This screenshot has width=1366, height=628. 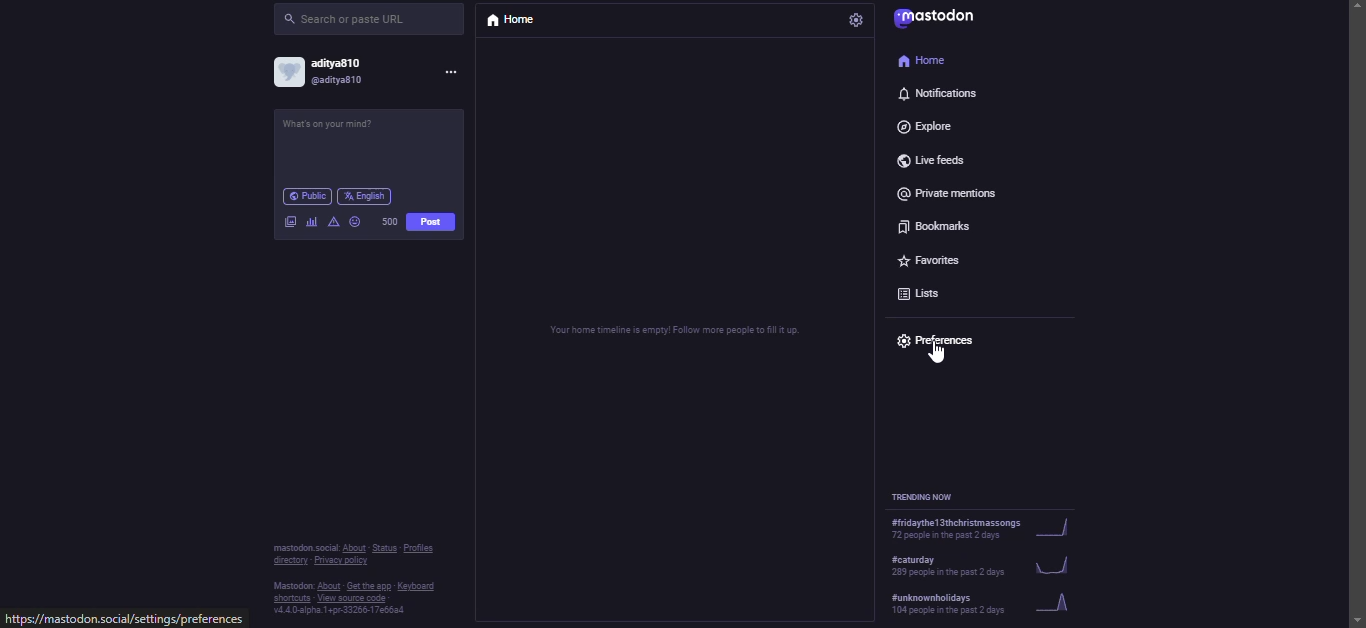 What do you see at coordinates (311, 224) in the screenshot?
I see `polls` at bounding box center [311, 224].